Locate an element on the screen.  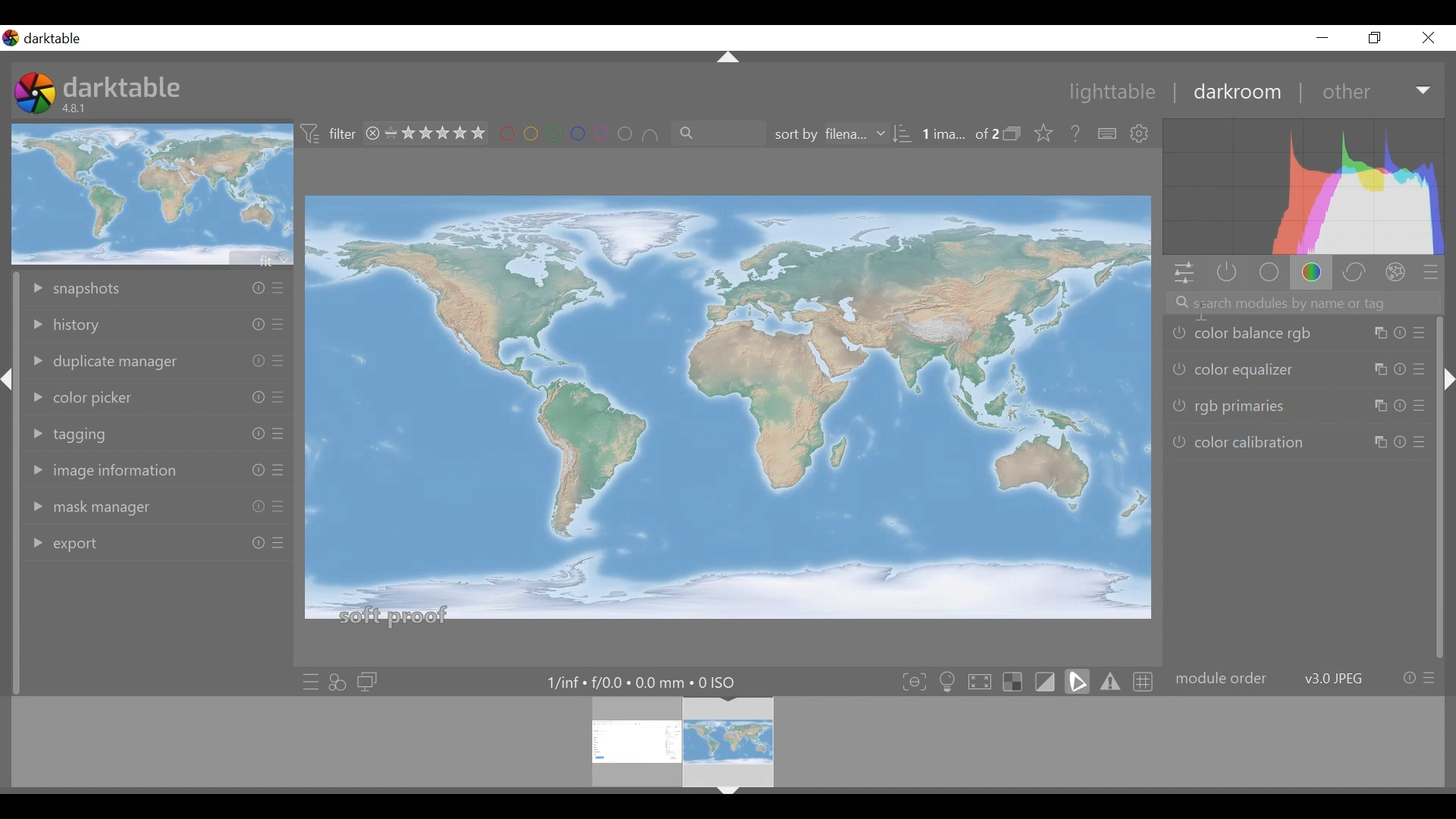
histogram is located at coordinates (1304, 189).